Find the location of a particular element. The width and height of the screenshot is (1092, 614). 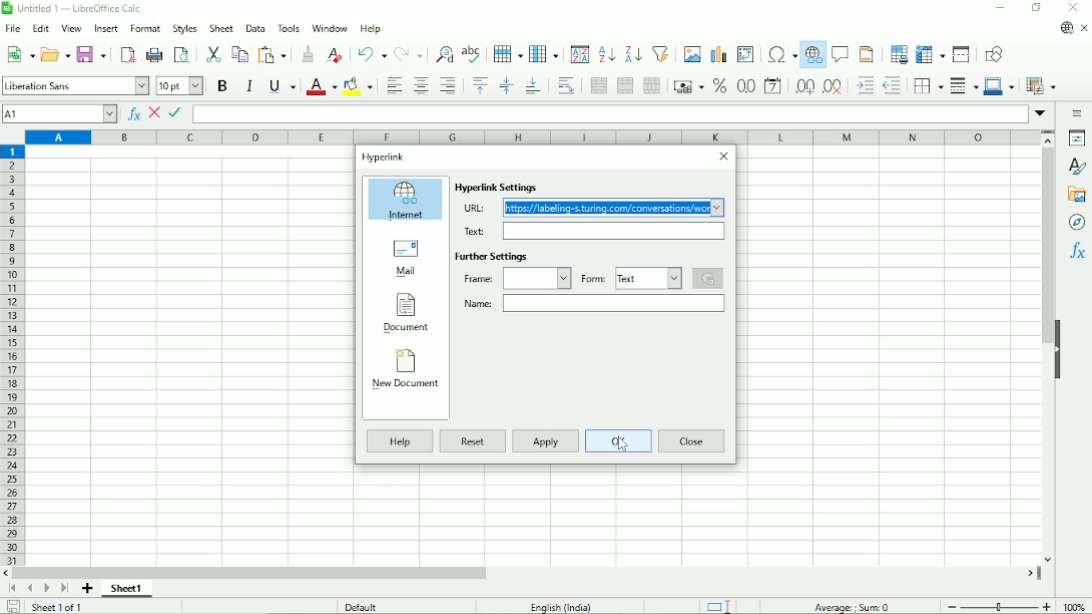

Insert chart is located at coordinates (718, 54).